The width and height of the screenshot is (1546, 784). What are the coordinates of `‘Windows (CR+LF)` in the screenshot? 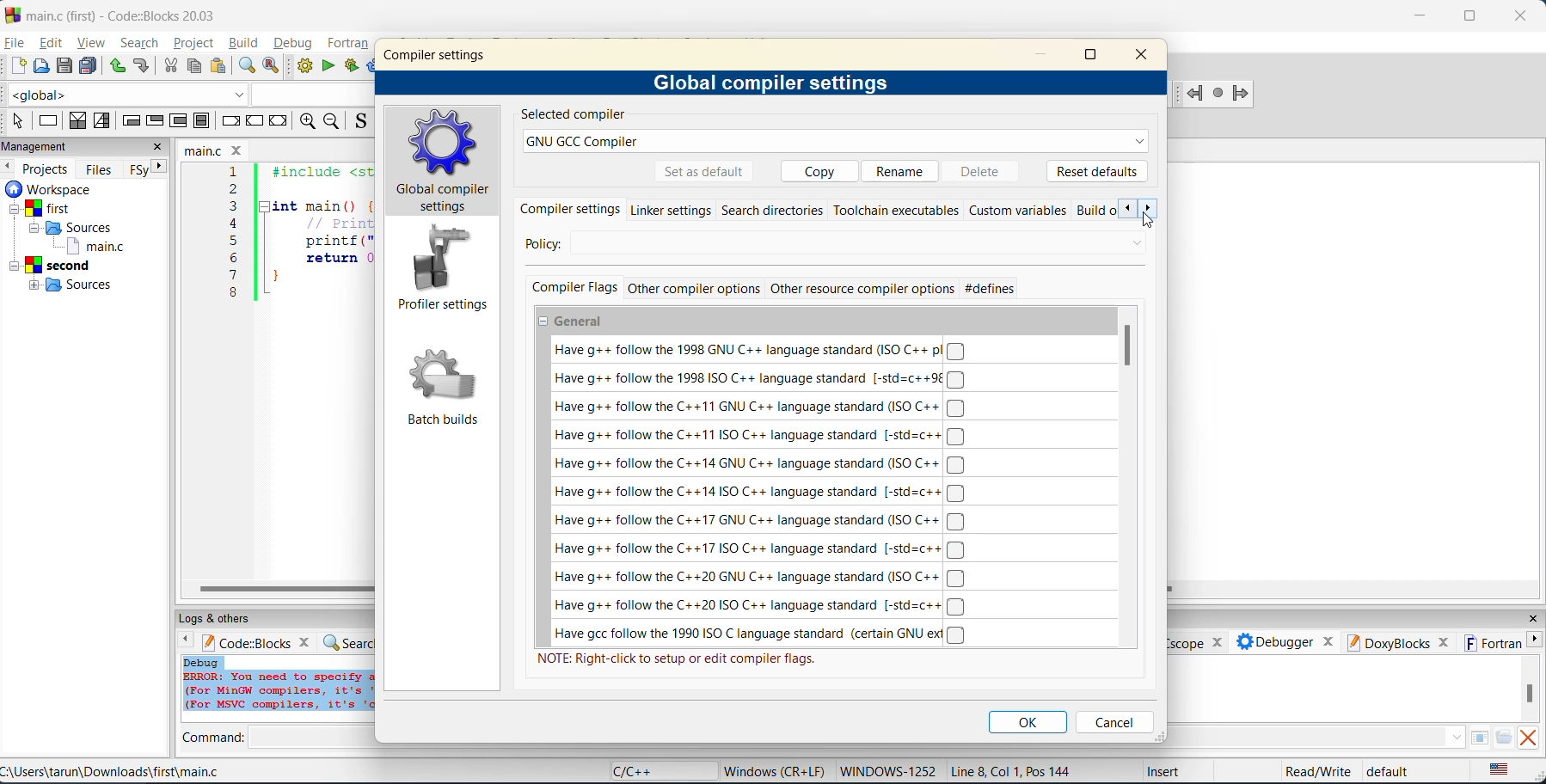 It's located at (772, 769).